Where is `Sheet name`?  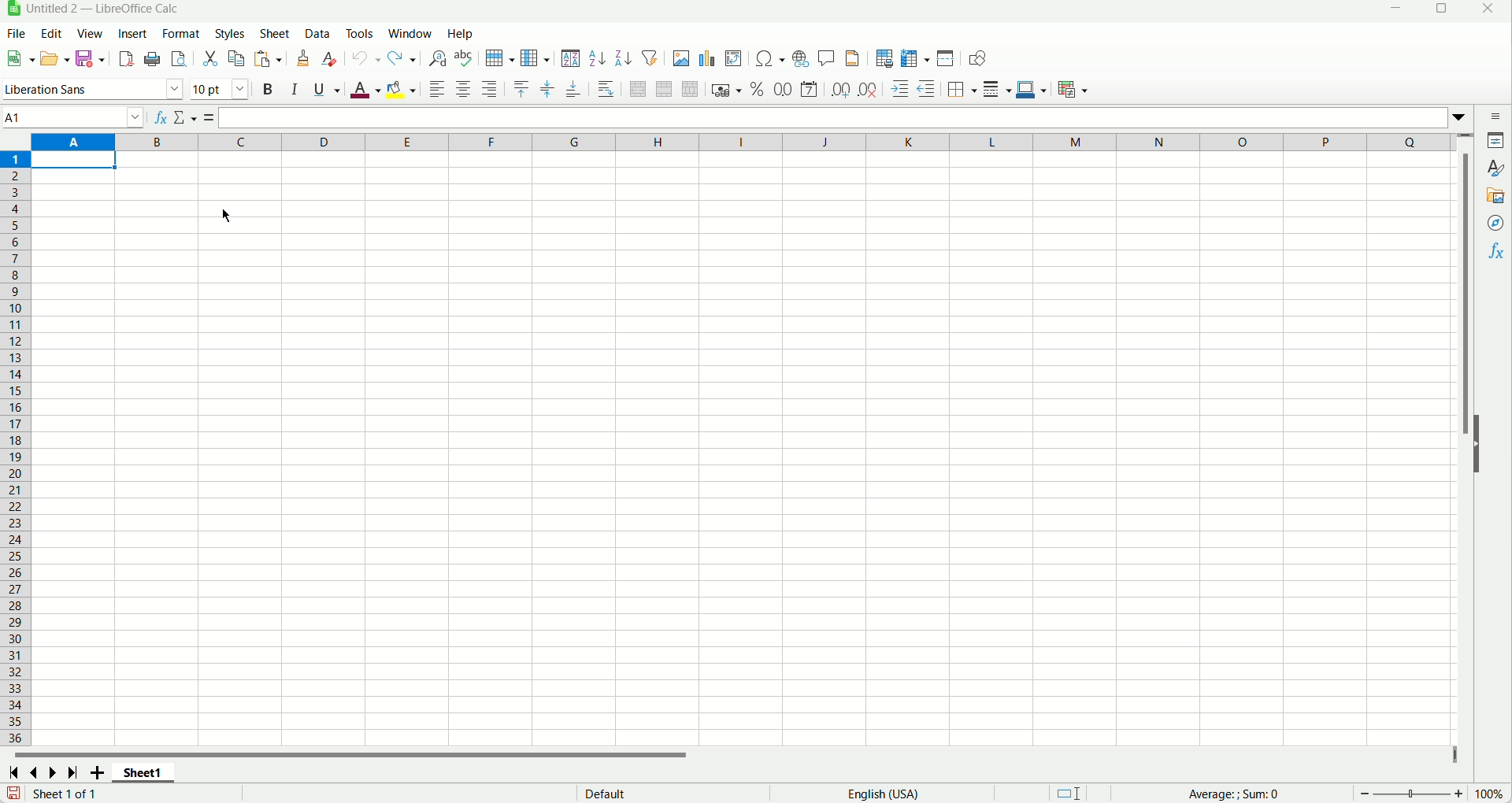 Sheet name is located at coordinates (143, 773).